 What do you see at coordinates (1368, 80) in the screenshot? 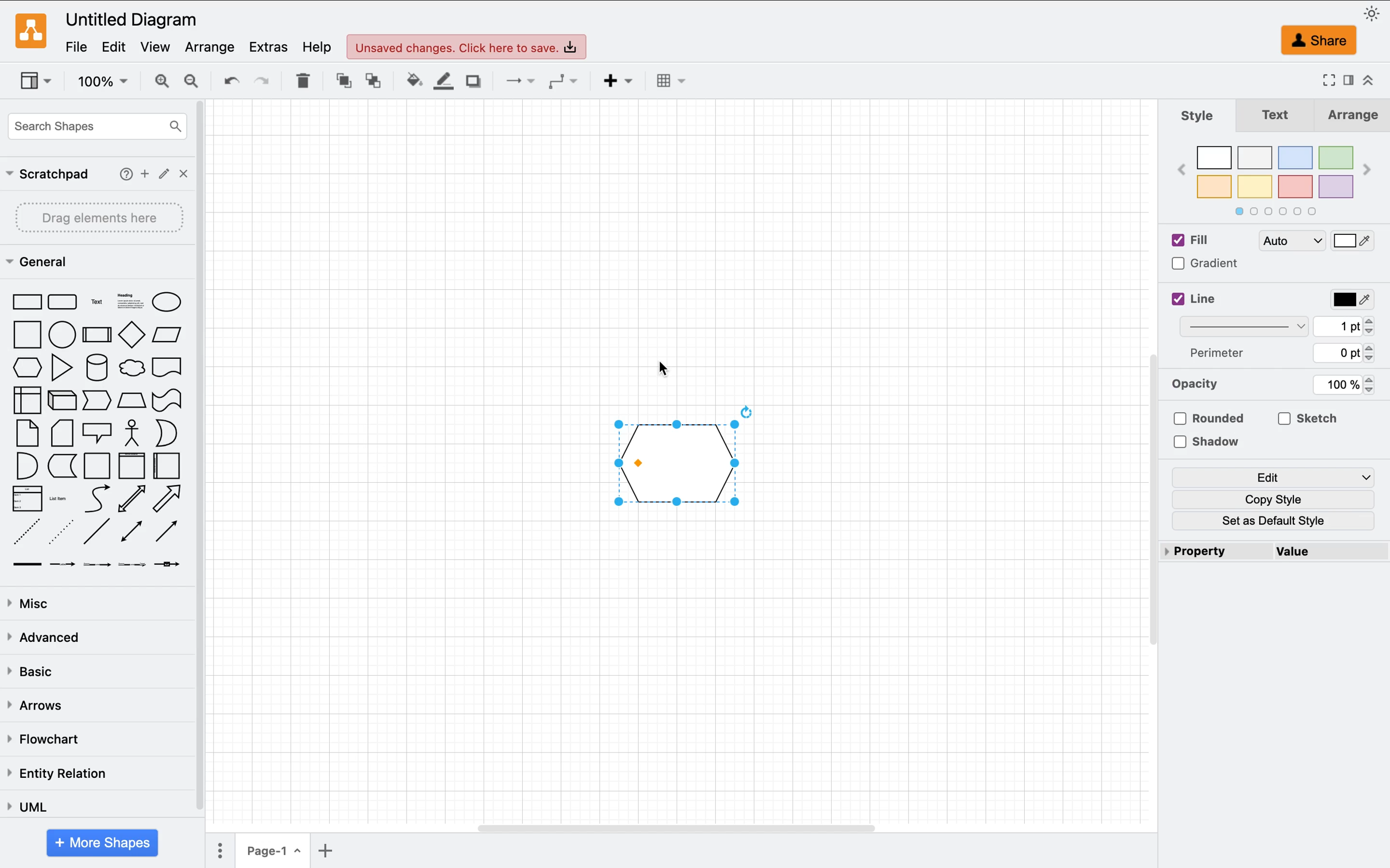
I see `collapse` at bounding box center [1368, 80].